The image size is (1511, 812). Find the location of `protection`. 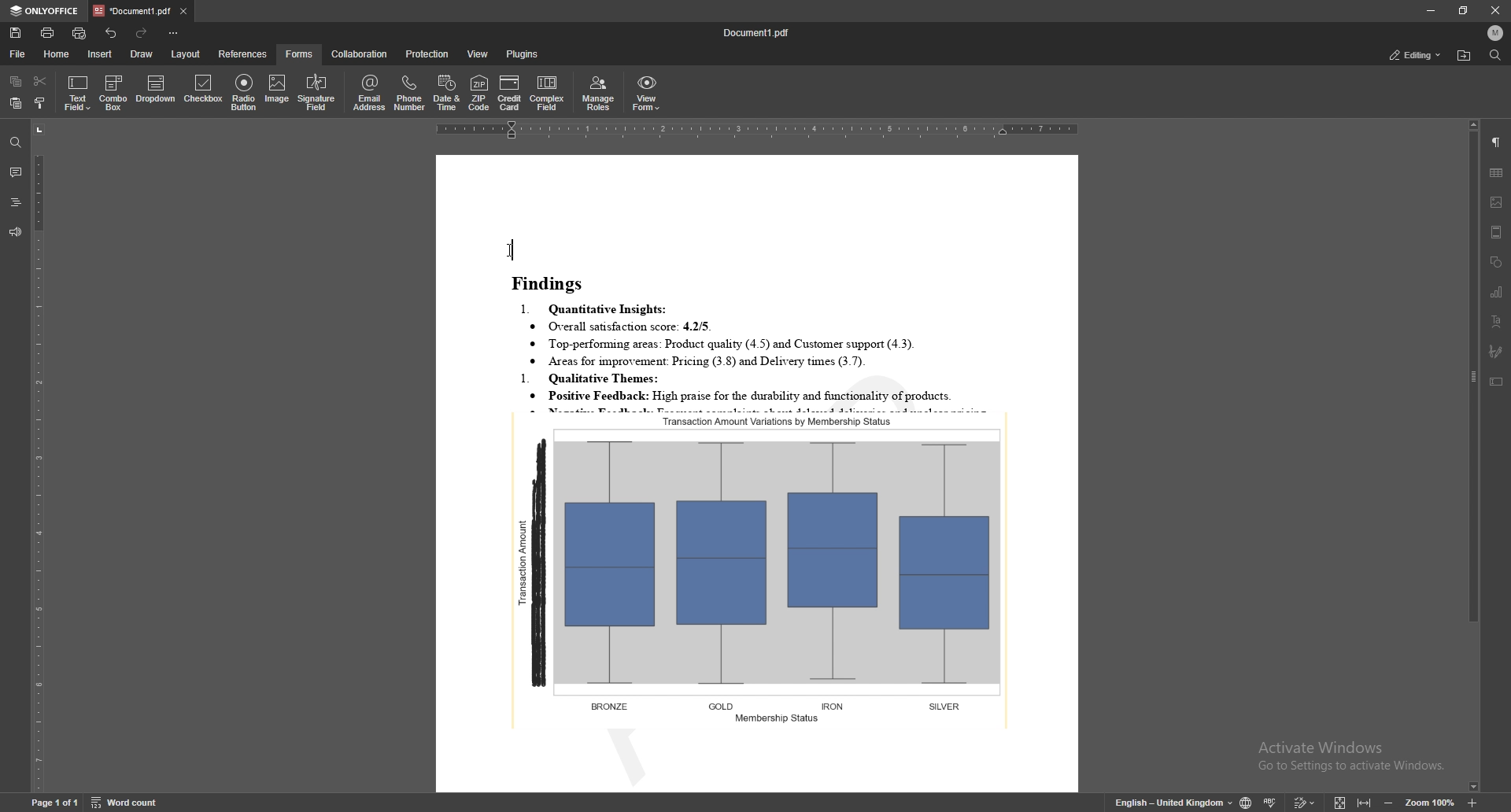

protection is located at coordinates (428, 54).